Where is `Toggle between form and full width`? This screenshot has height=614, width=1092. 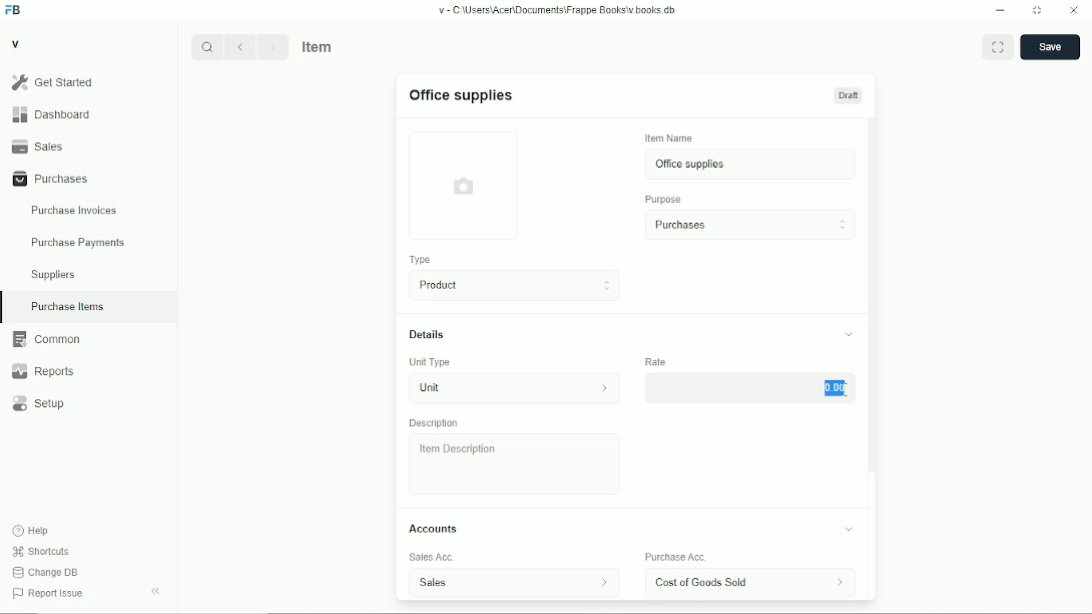
Toggle between form and full width is located at coordinates (1038, 11).